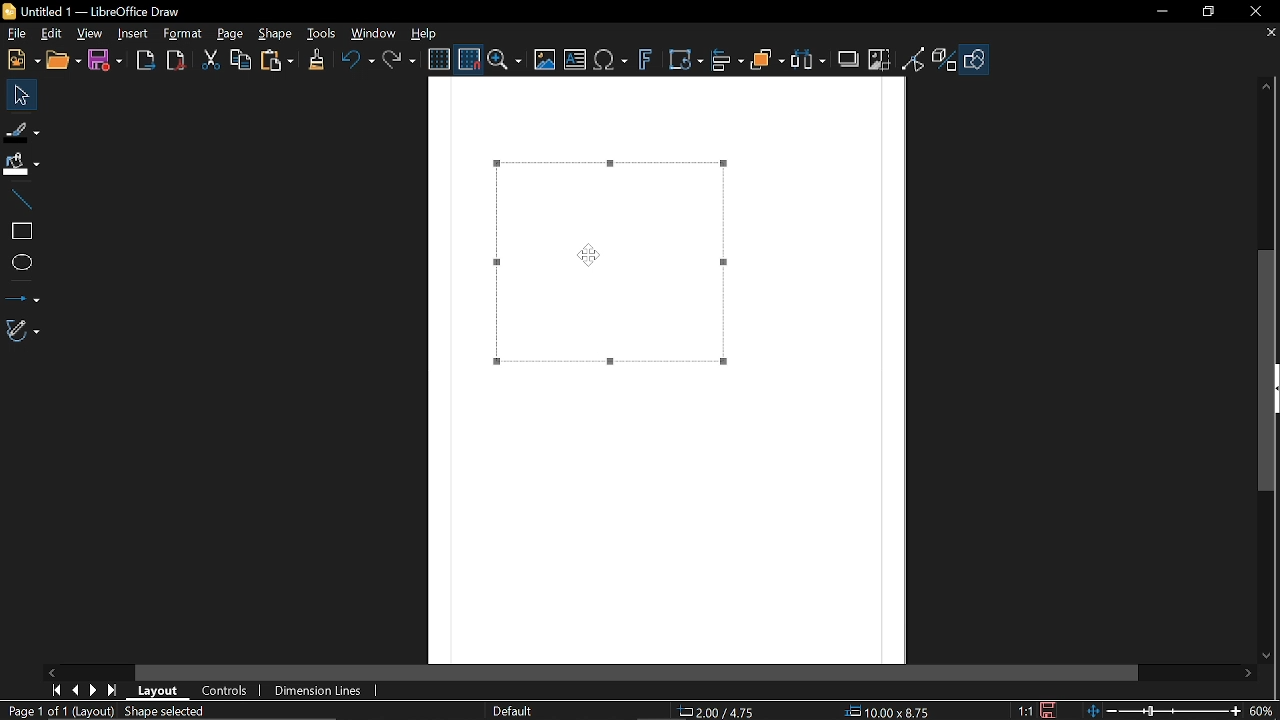 The width and height of the screenshot is (1280, 720). What do you see at coordinates (23, 294) in the screenshot?
I see `Lines and arrows` at bounding box center [23, 294].